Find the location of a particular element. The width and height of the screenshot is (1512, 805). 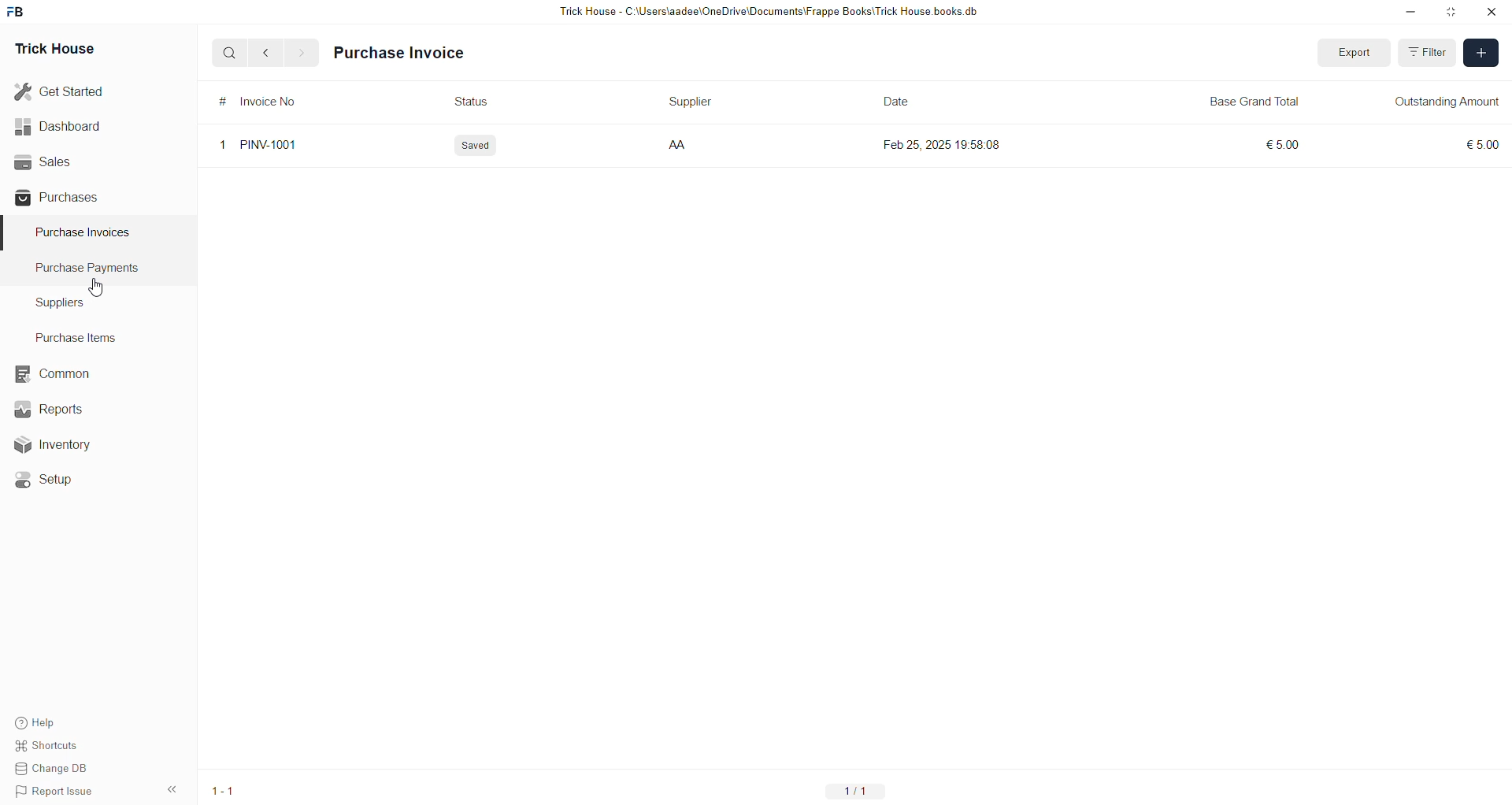

Suppliers is located at coordinates (60, 302).